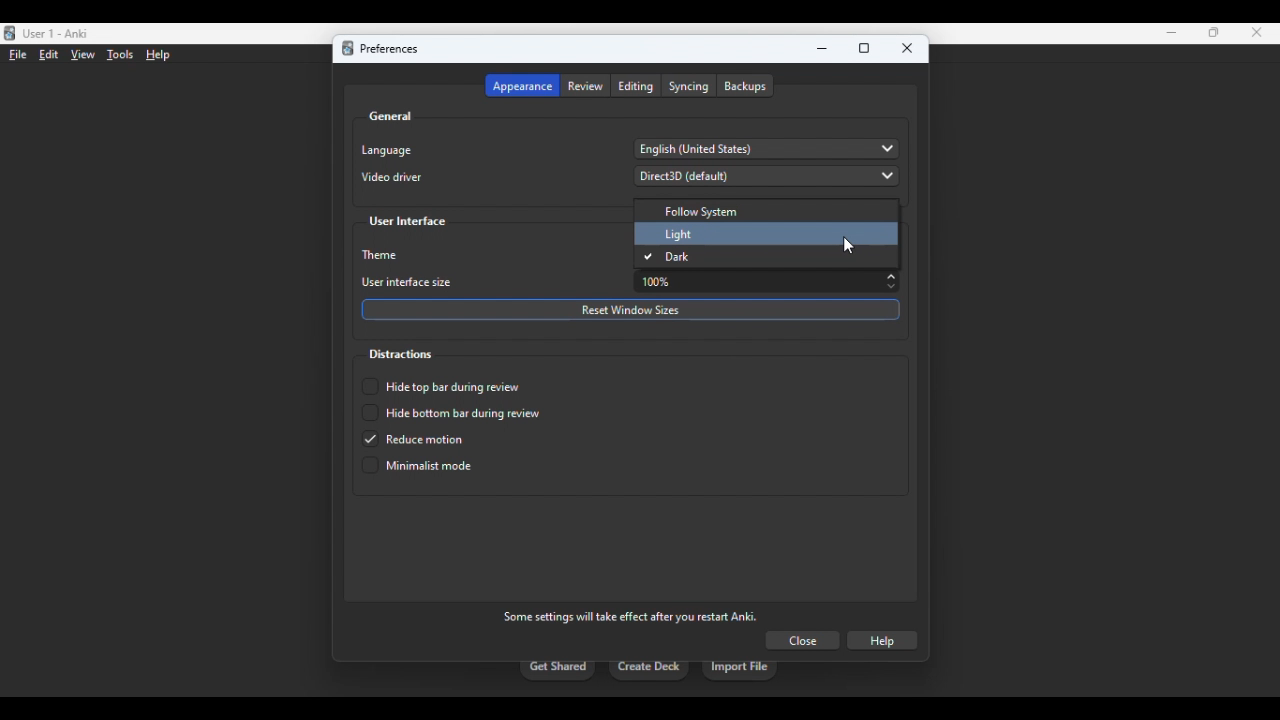 This screenshot has height=720, width=1280. What do you see at coordinates (82, 56) in the screenshot?
I see `view` at bounding box center [82, 56].